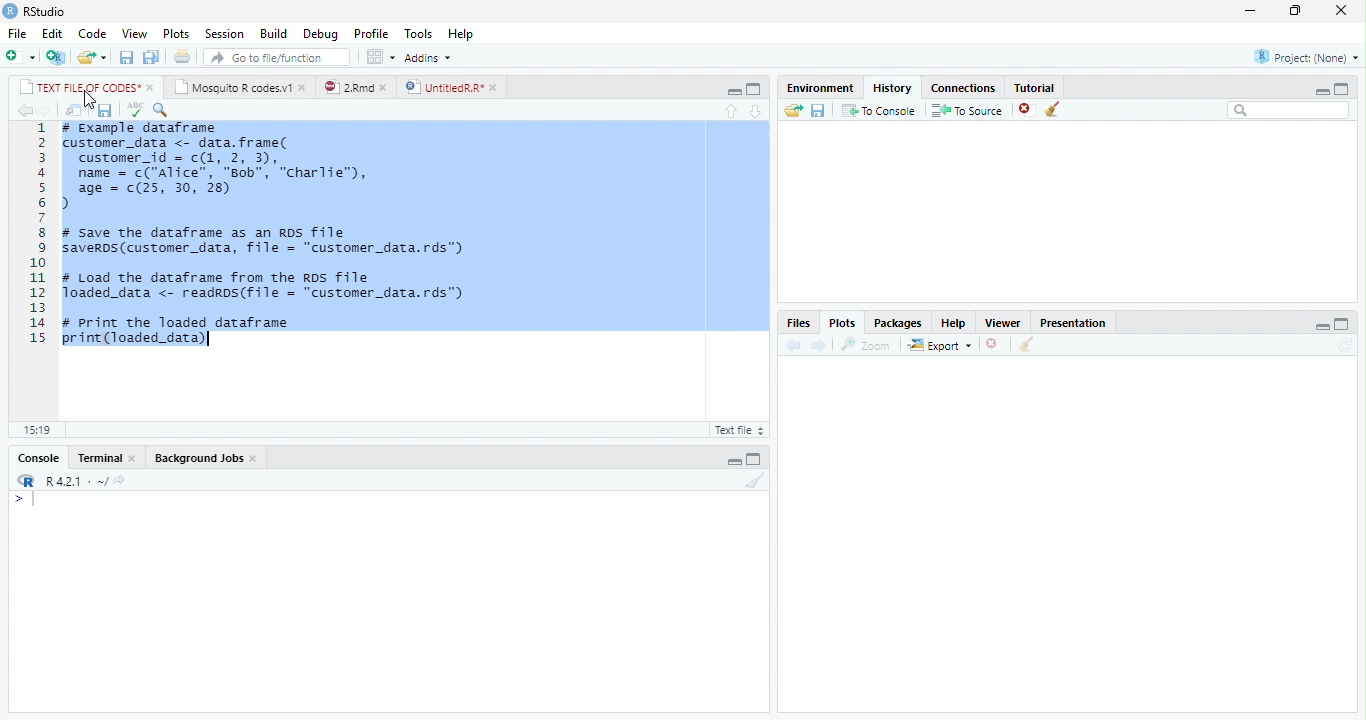  I want to click on minimize, so click(1321, 91).